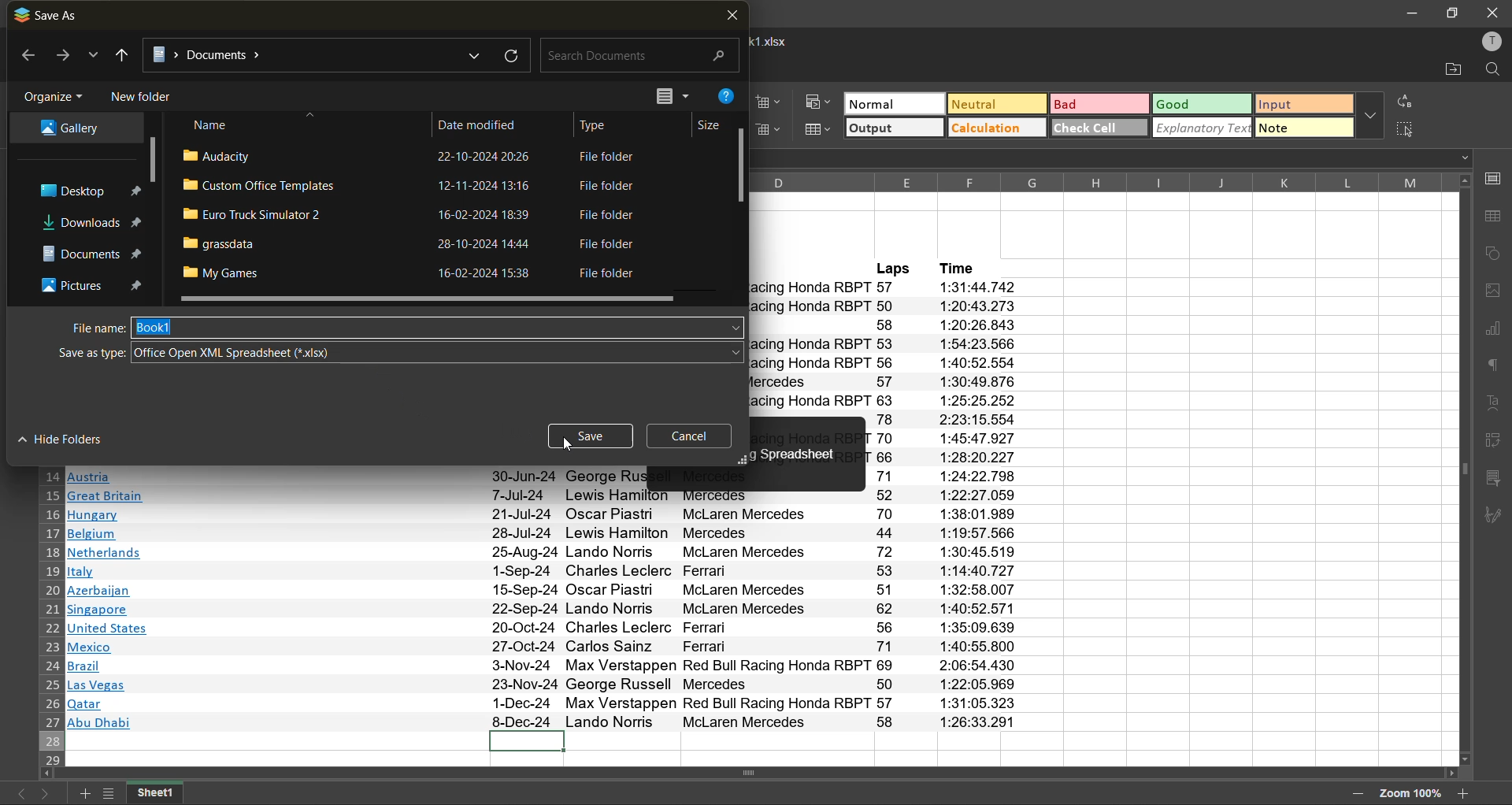 Image resolution: width=1512 pixels, height=805 pixels. Describe the element at coordinates (1496, 177) in the screenshot. I see `call settings` at that location.